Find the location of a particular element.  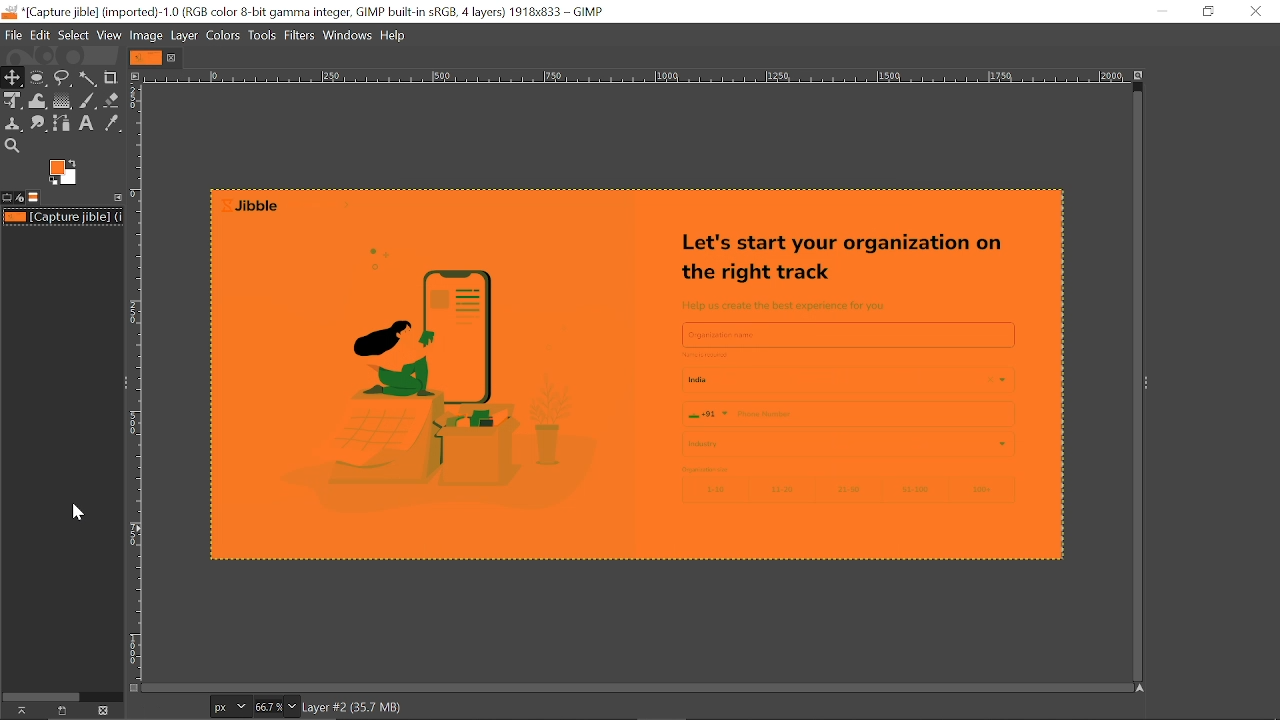

Access this image's menu is located at coordinates (134, 75).